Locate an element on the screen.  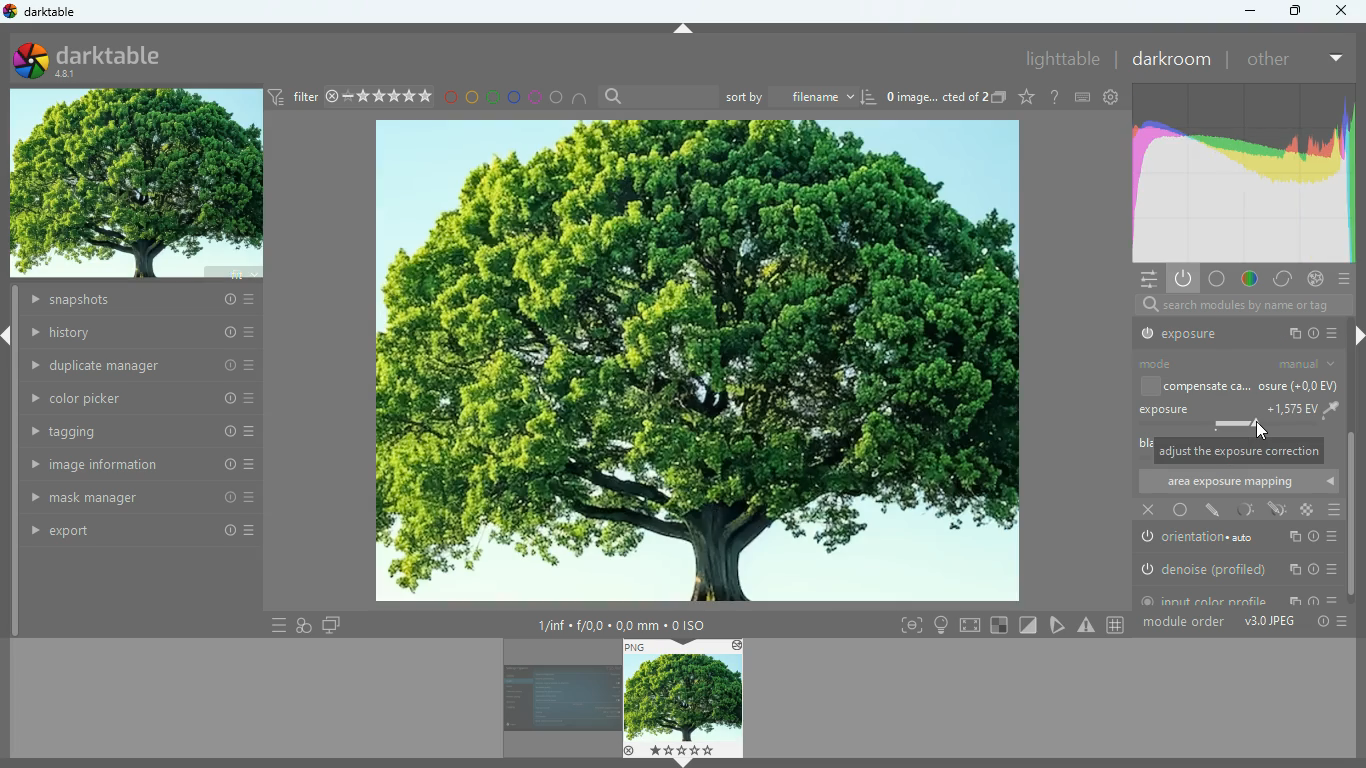
image information is located at coordinates (131, 467).